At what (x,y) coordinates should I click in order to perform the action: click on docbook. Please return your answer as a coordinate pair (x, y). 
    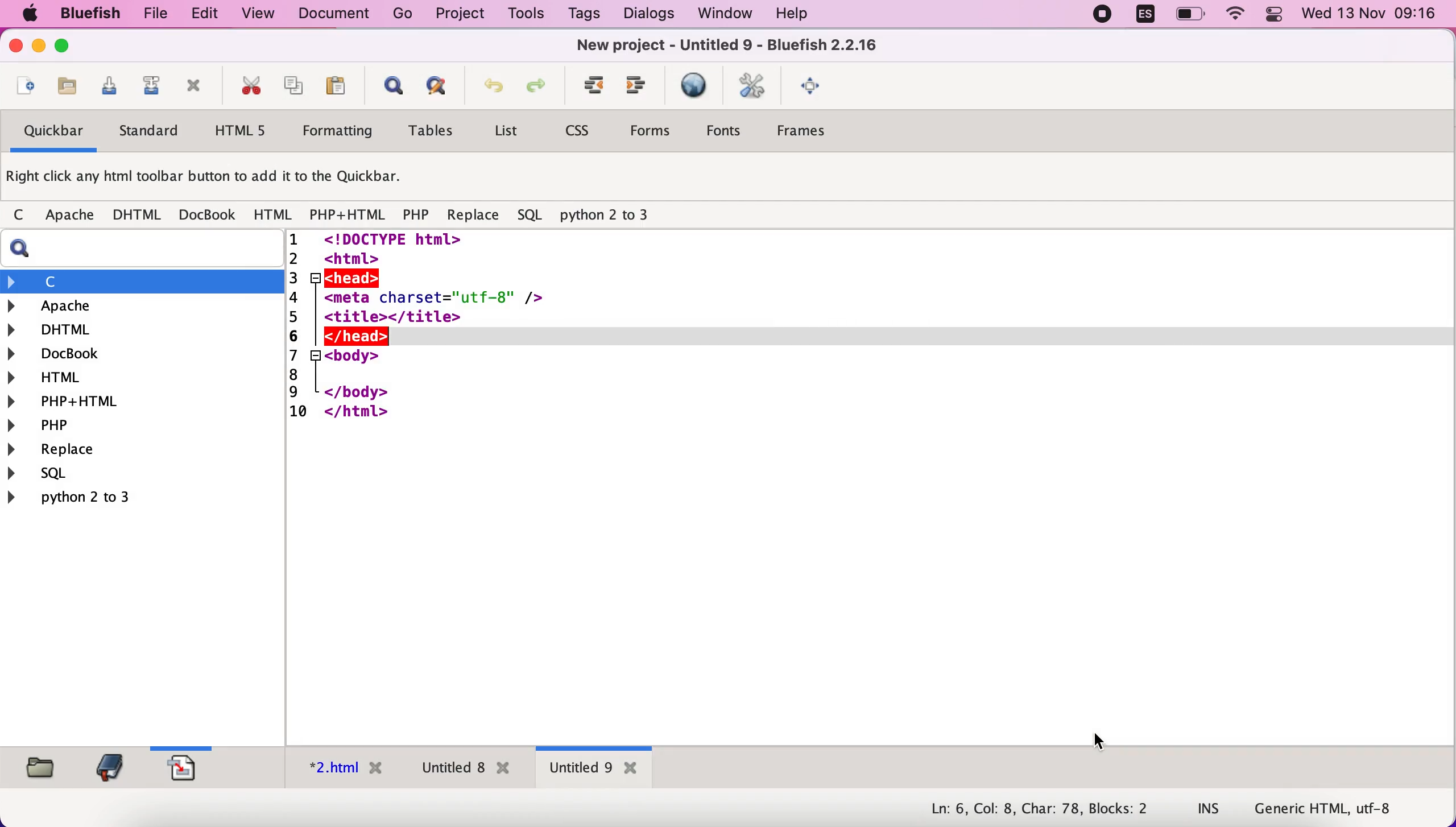
    Looking at the image, I should click on (208, 217).